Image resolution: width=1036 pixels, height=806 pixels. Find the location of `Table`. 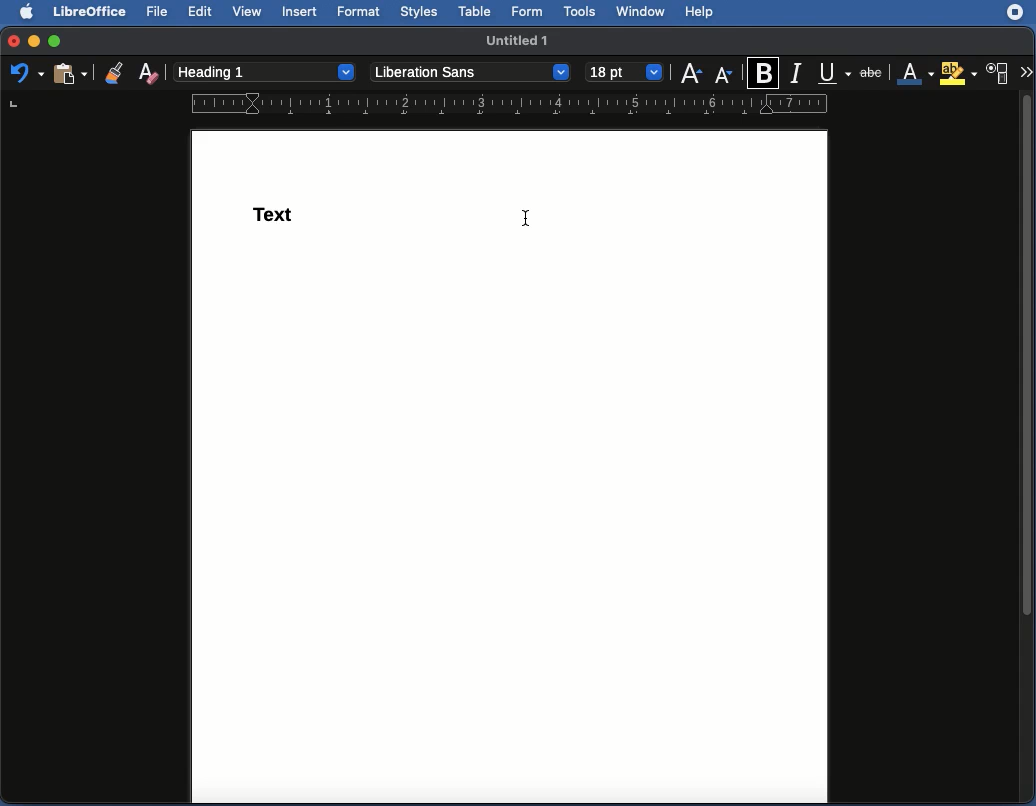

Table is located at coordinates (476, 12).